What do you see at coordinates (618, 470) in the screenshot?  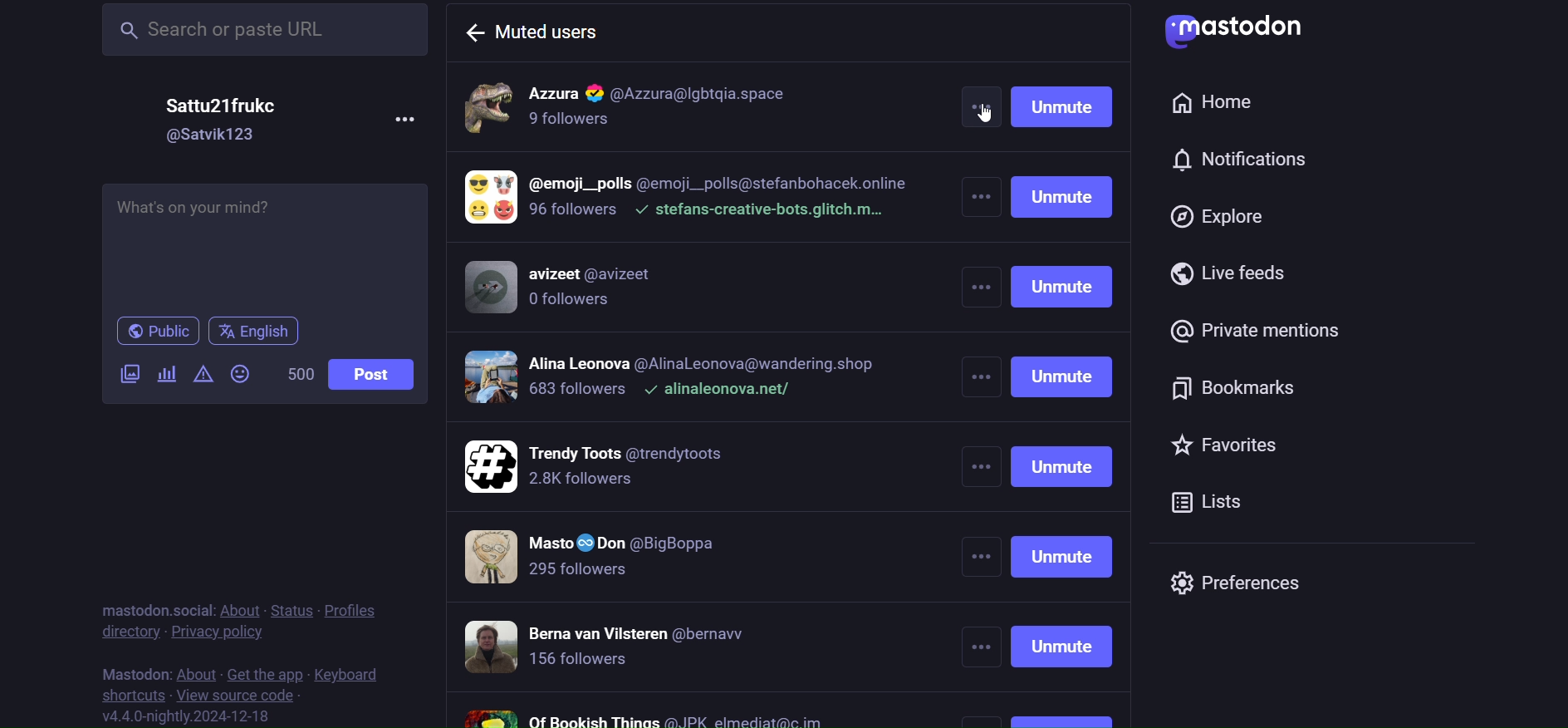 I see `muted accounts 5` at bounding box center [618, 470].